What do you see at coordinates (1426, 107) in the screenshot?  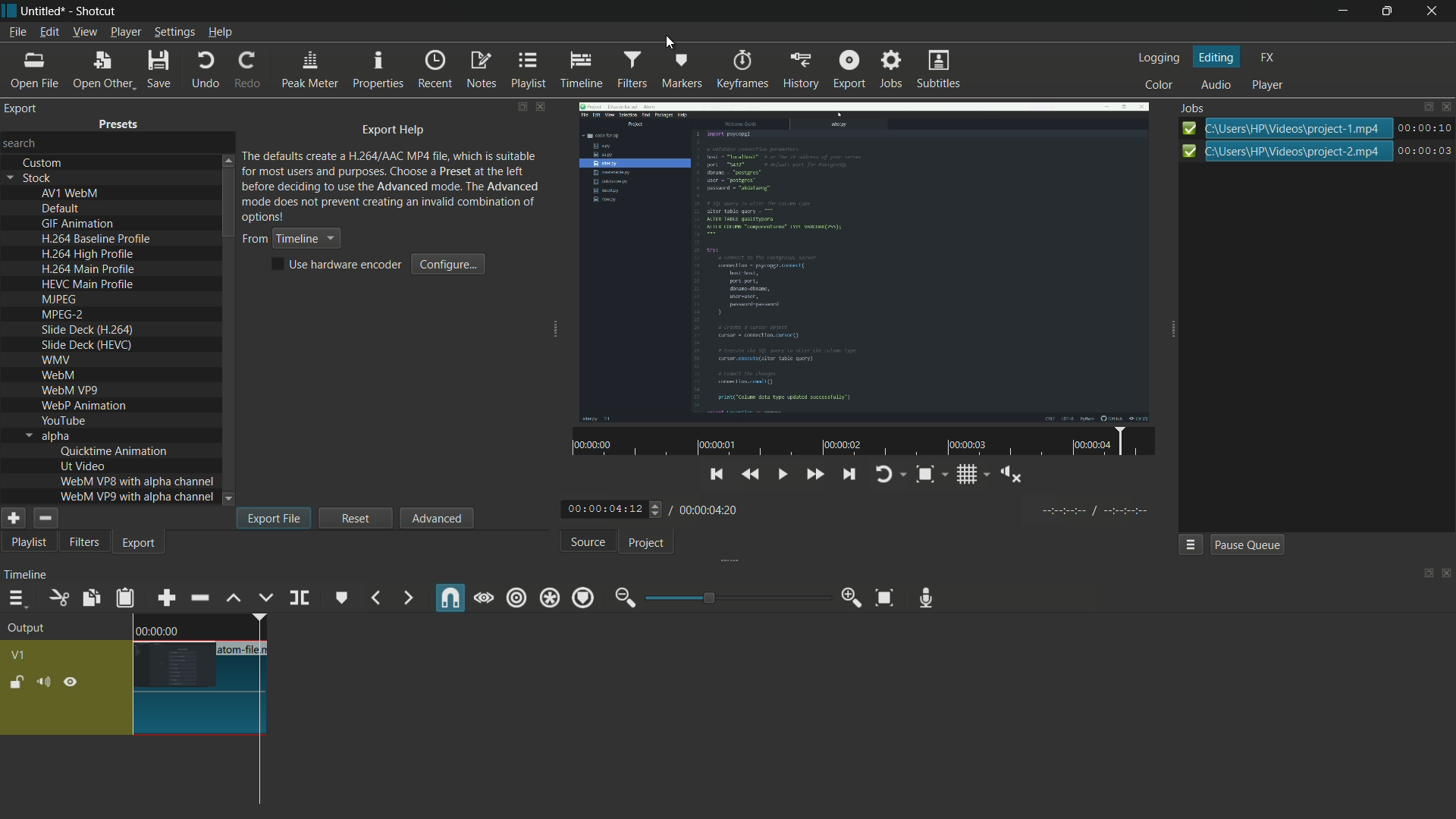 I see `change layout` at bounding box center [1426, 107].